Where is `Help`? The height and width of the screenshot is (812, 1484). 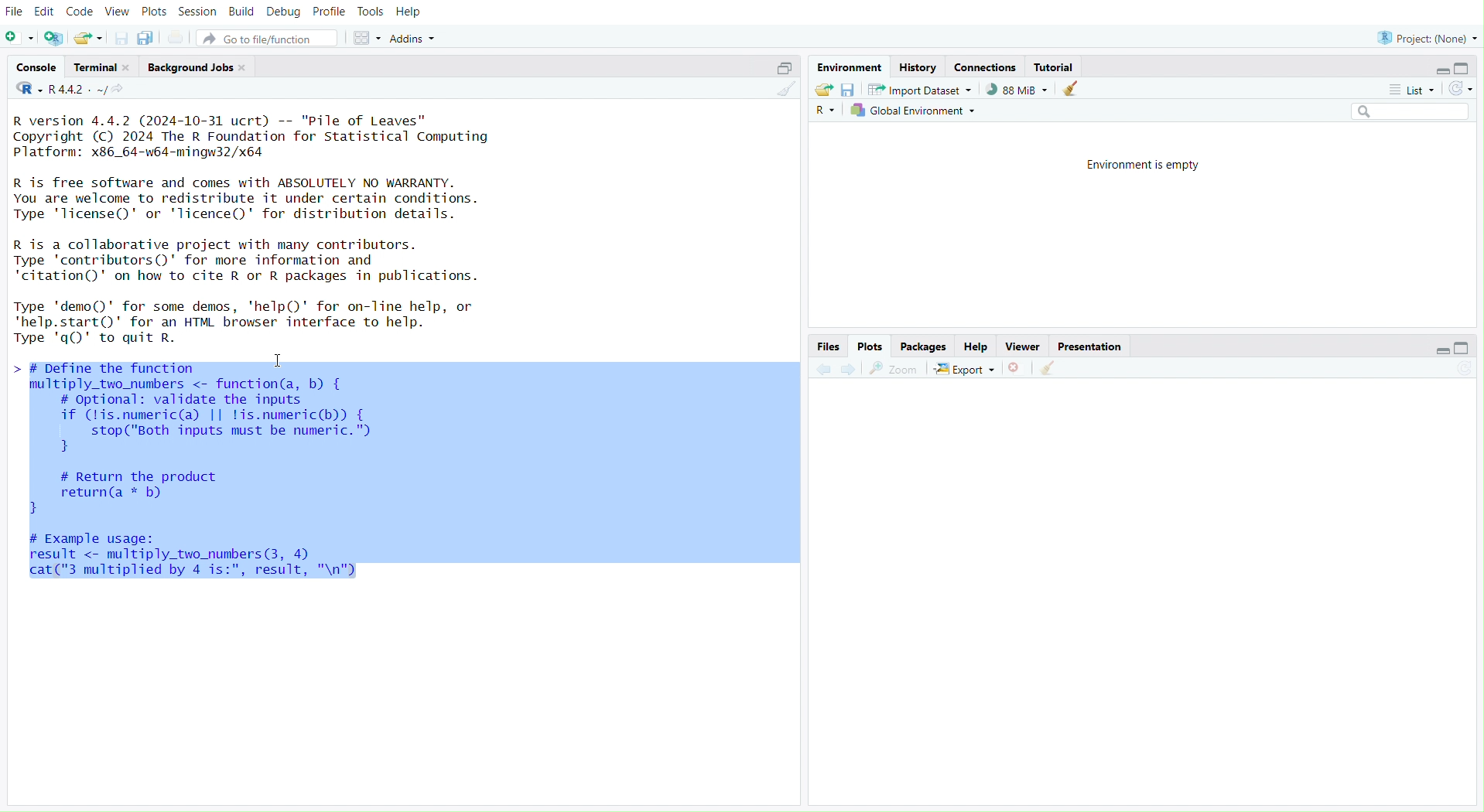 Help is located at coordinates (978, 347).